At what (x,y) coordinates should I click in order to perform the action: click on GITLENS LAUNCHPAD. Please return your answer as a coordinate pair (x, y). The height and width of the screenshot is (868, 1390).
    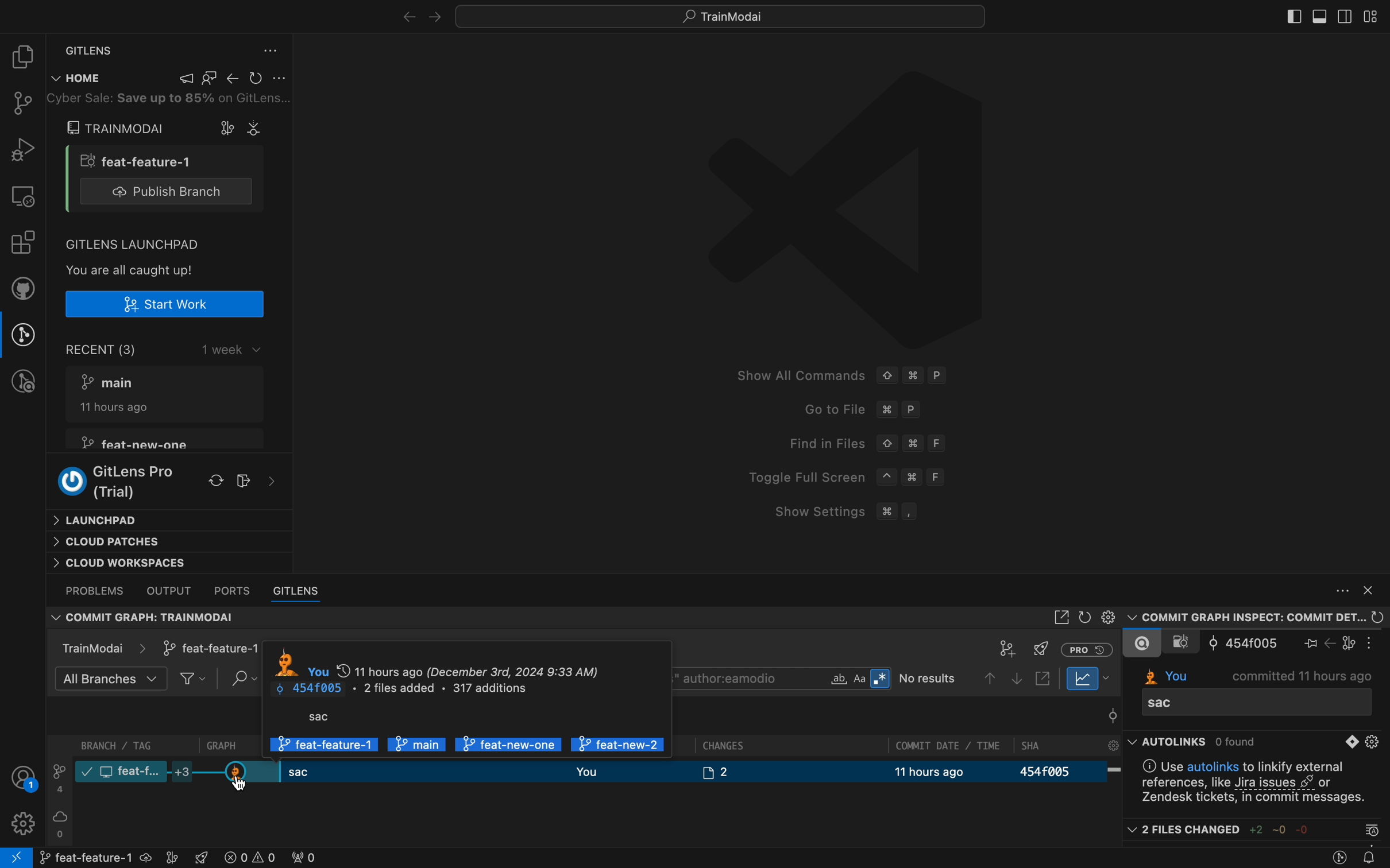
    Looking at the image, I should click on (133, 242).